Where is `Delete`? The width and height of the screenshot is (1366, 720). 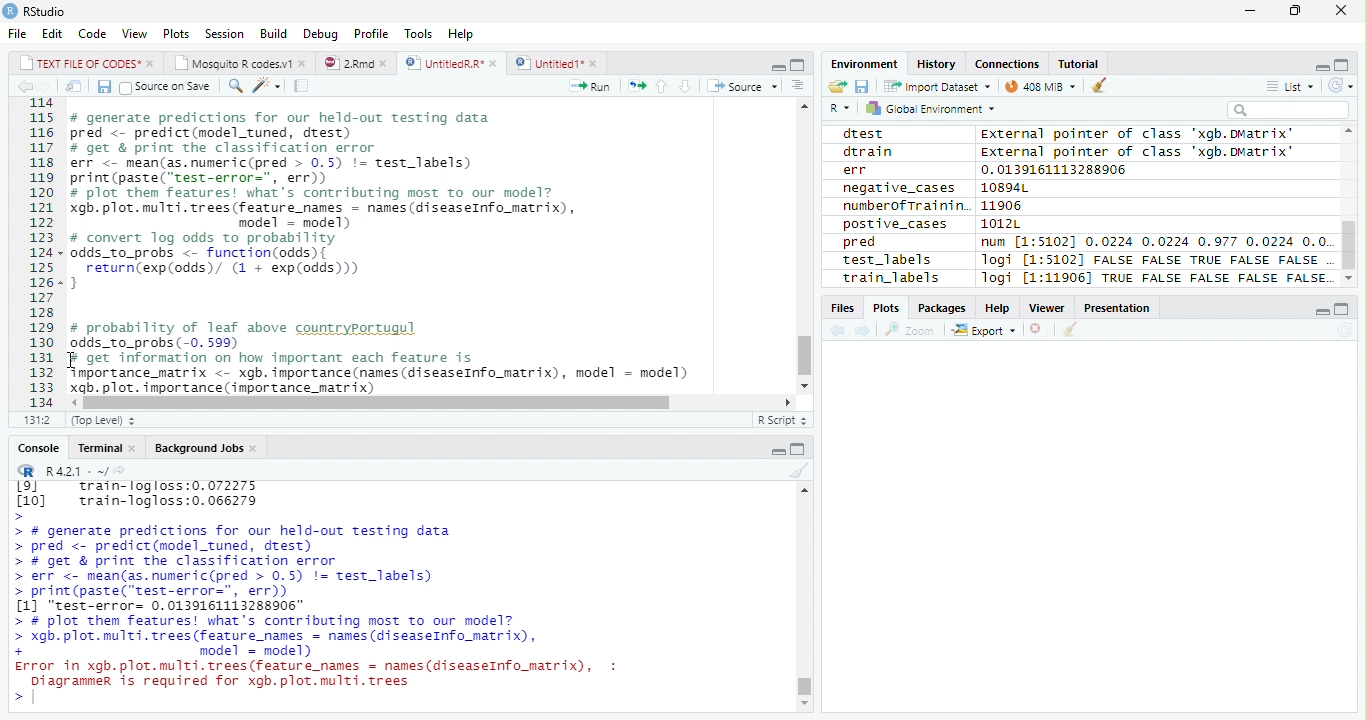 Delete is located at coordinates (1037, 329).